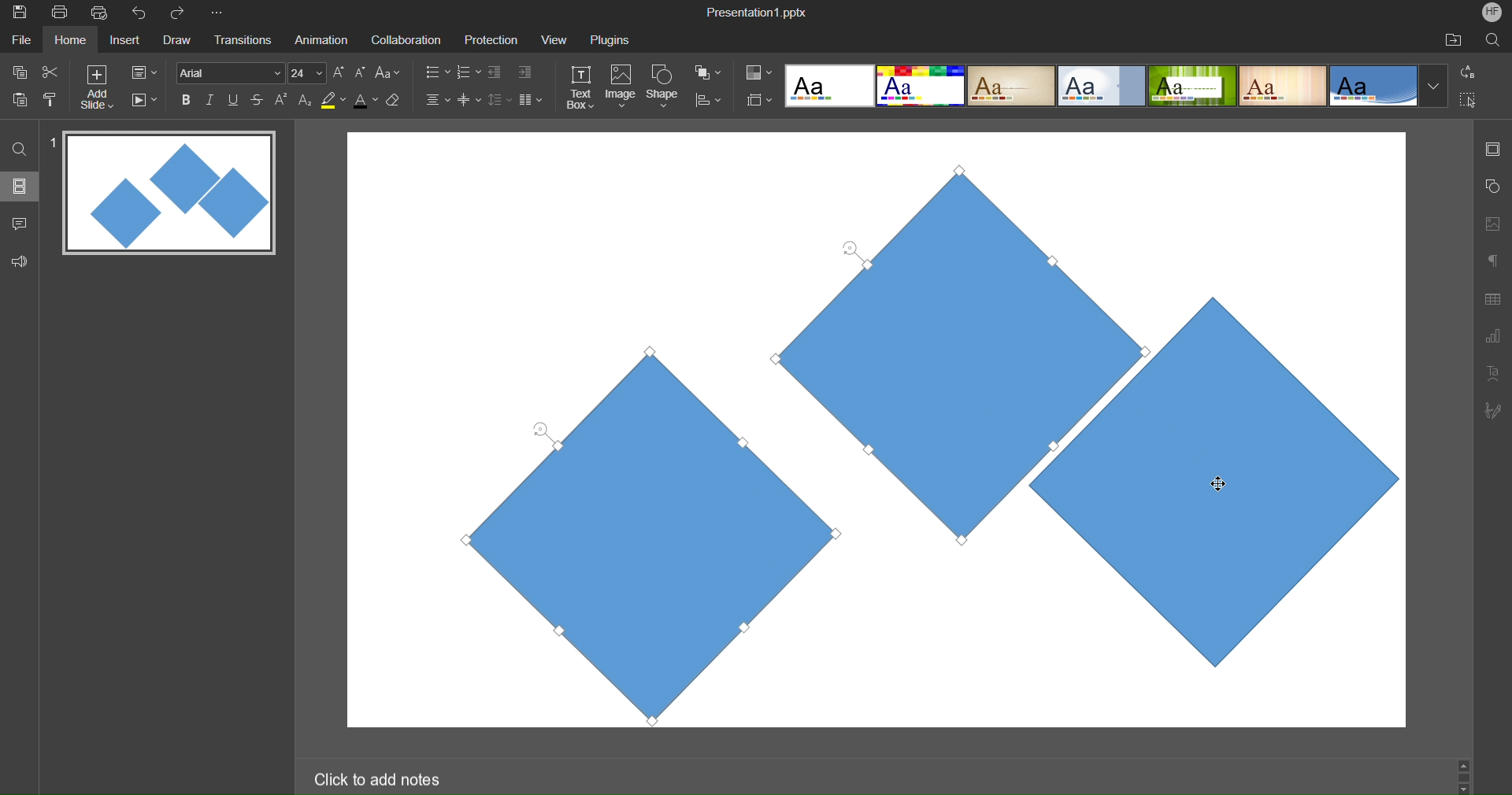 This screenshot has width=1512, height=795. Describe the element at coordinates (708, 101) in the screenshot. I see `Align` at that location.